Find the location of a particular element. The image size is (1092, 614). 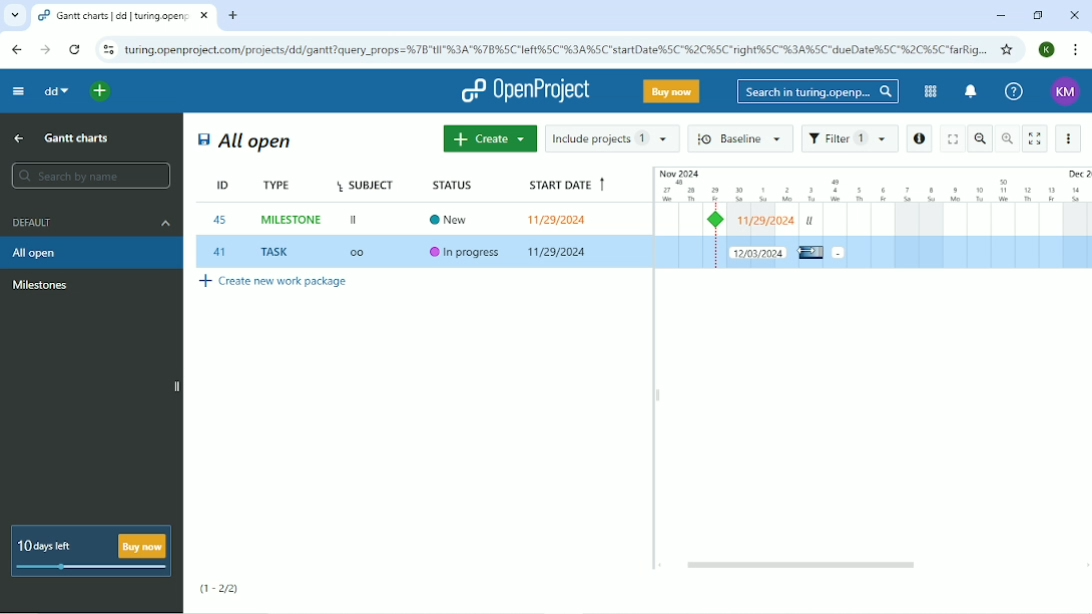

New duration is located at coordinates (758, 252).